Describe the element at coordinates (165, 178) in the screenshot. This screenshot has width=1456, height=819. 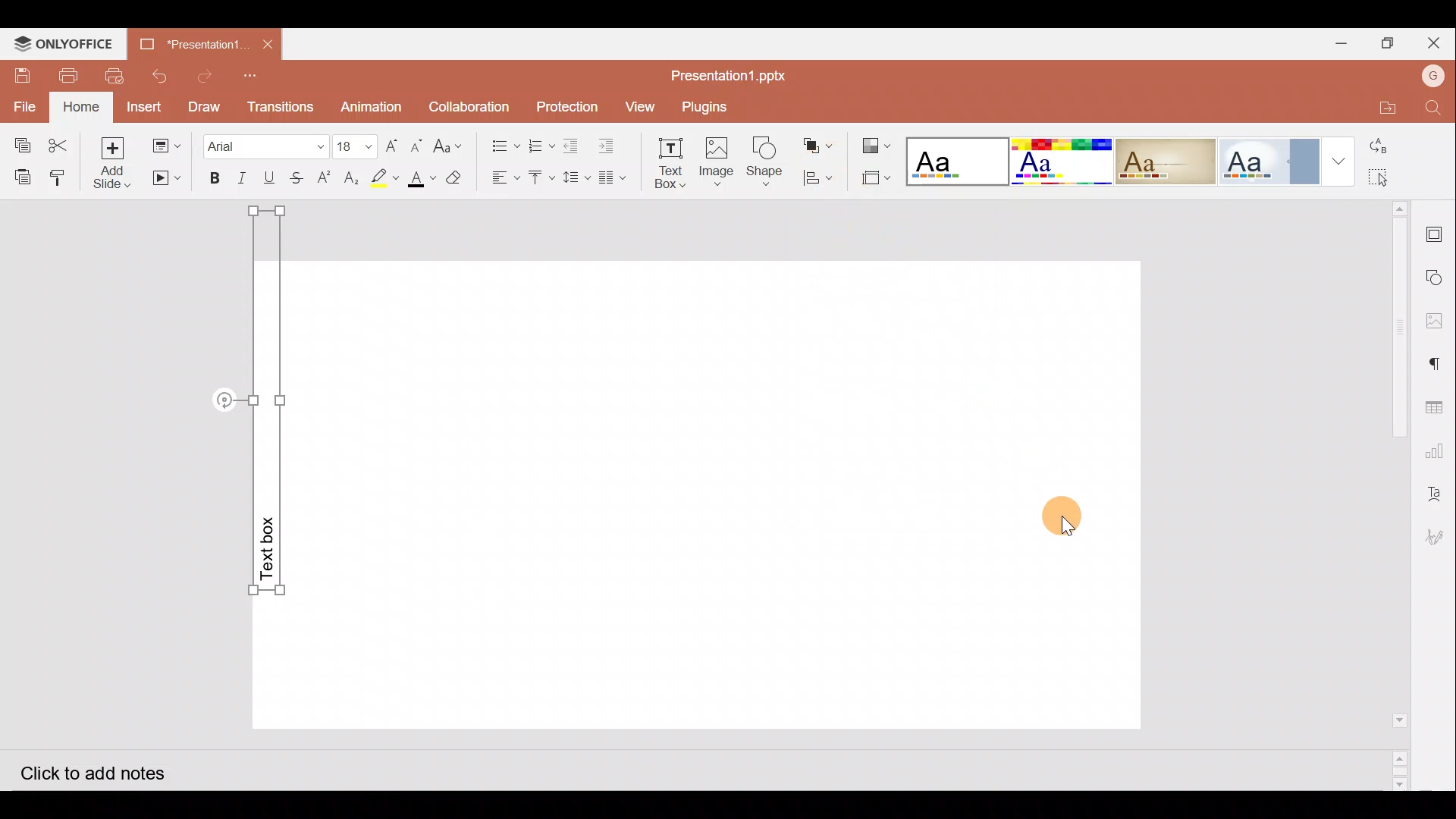
I see `Start slideshow` at that location.